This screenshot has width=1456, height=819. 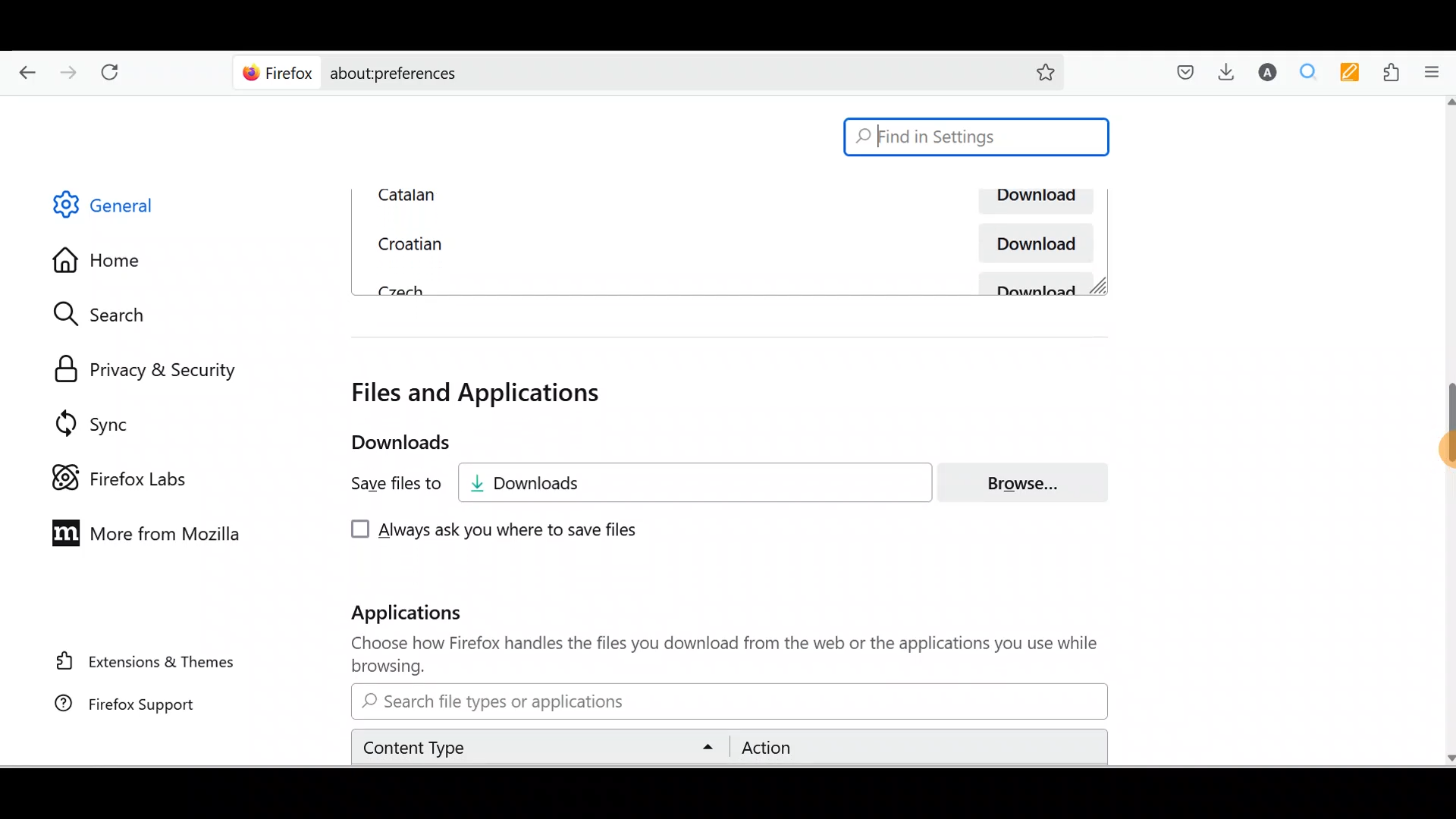 What do you see at coordinates (71, 75) in the screenshot?
I see `Go forward one page` at bounding box center [71, 75].